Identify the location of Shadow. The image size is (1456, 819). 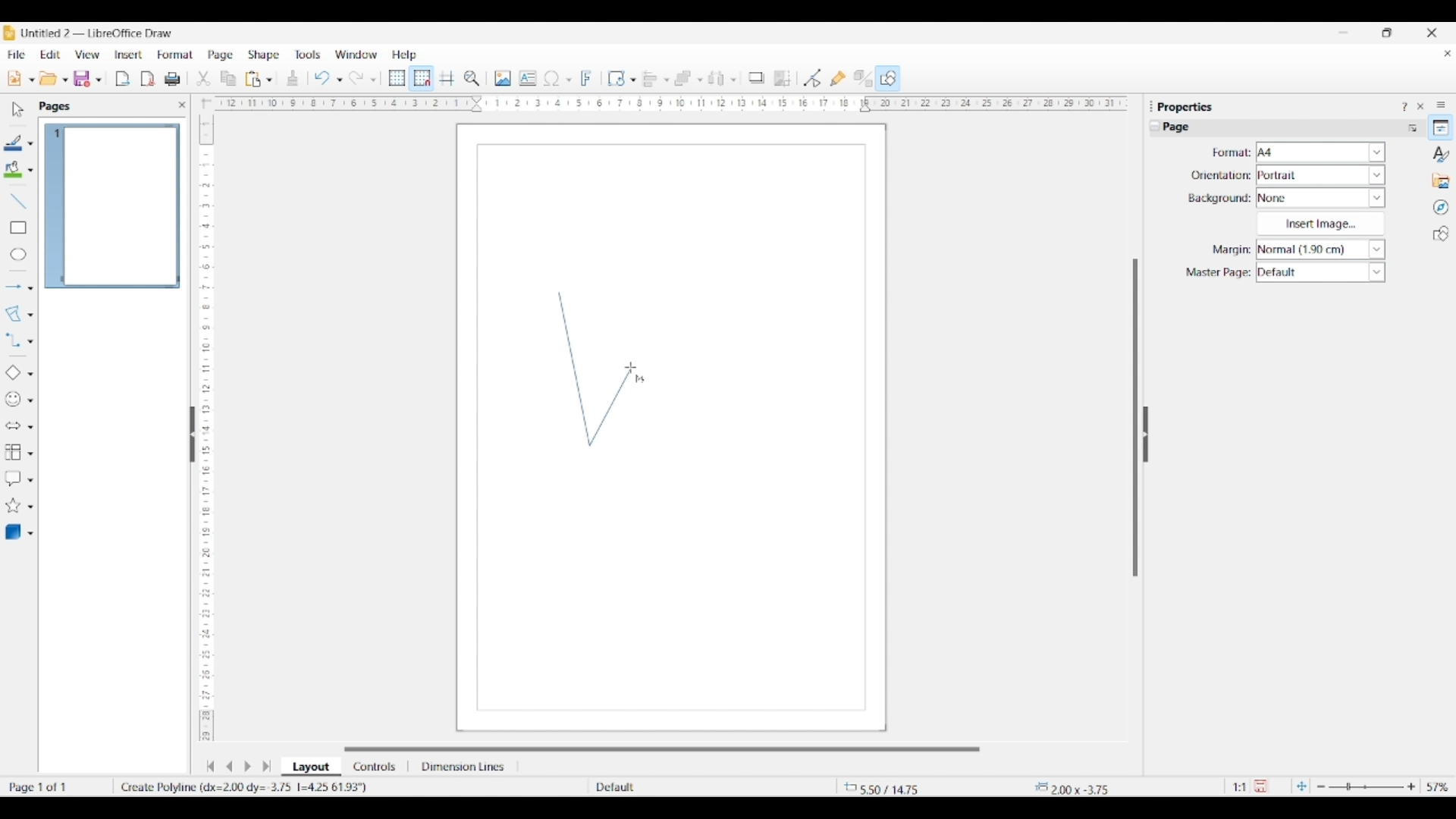
(756, 77).